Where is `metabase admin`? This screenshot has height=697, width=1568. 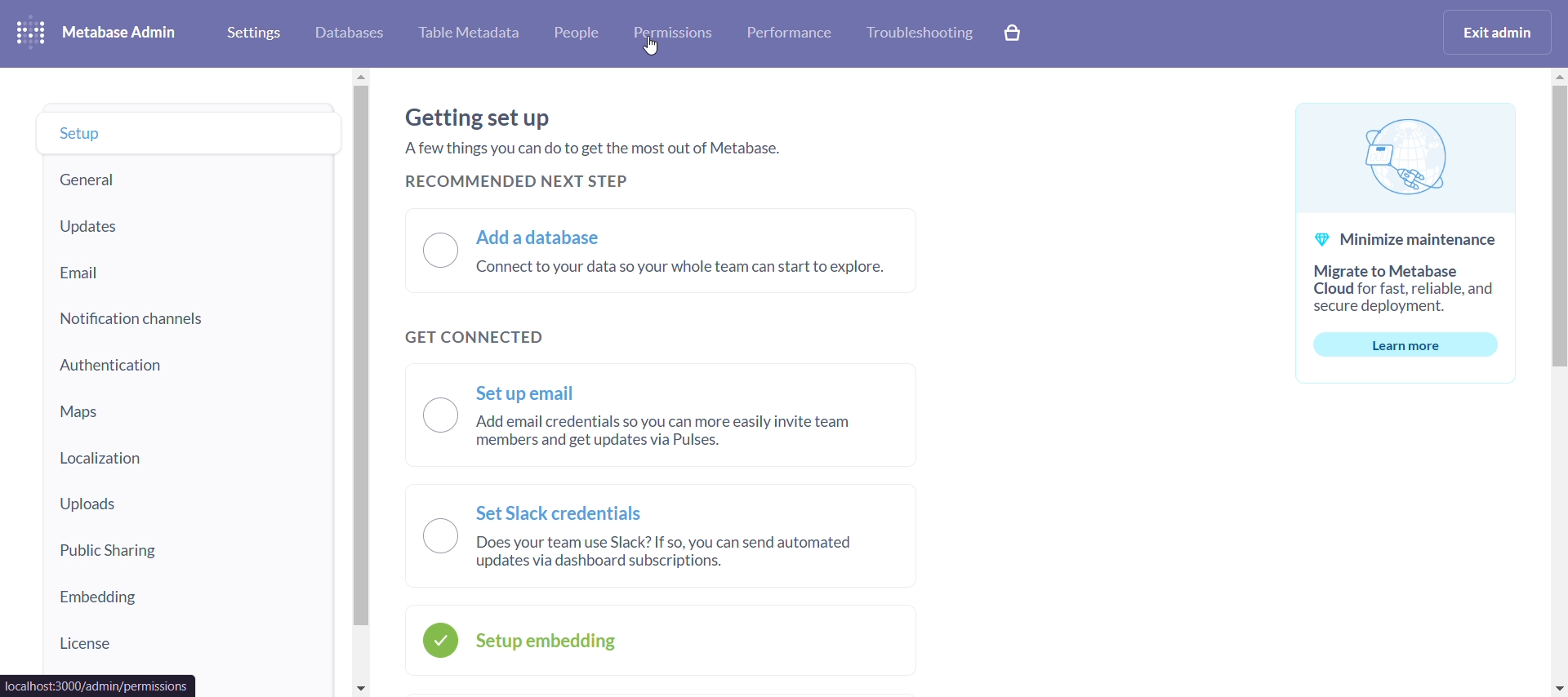 metabase admin is located at coordinates (125, 33).